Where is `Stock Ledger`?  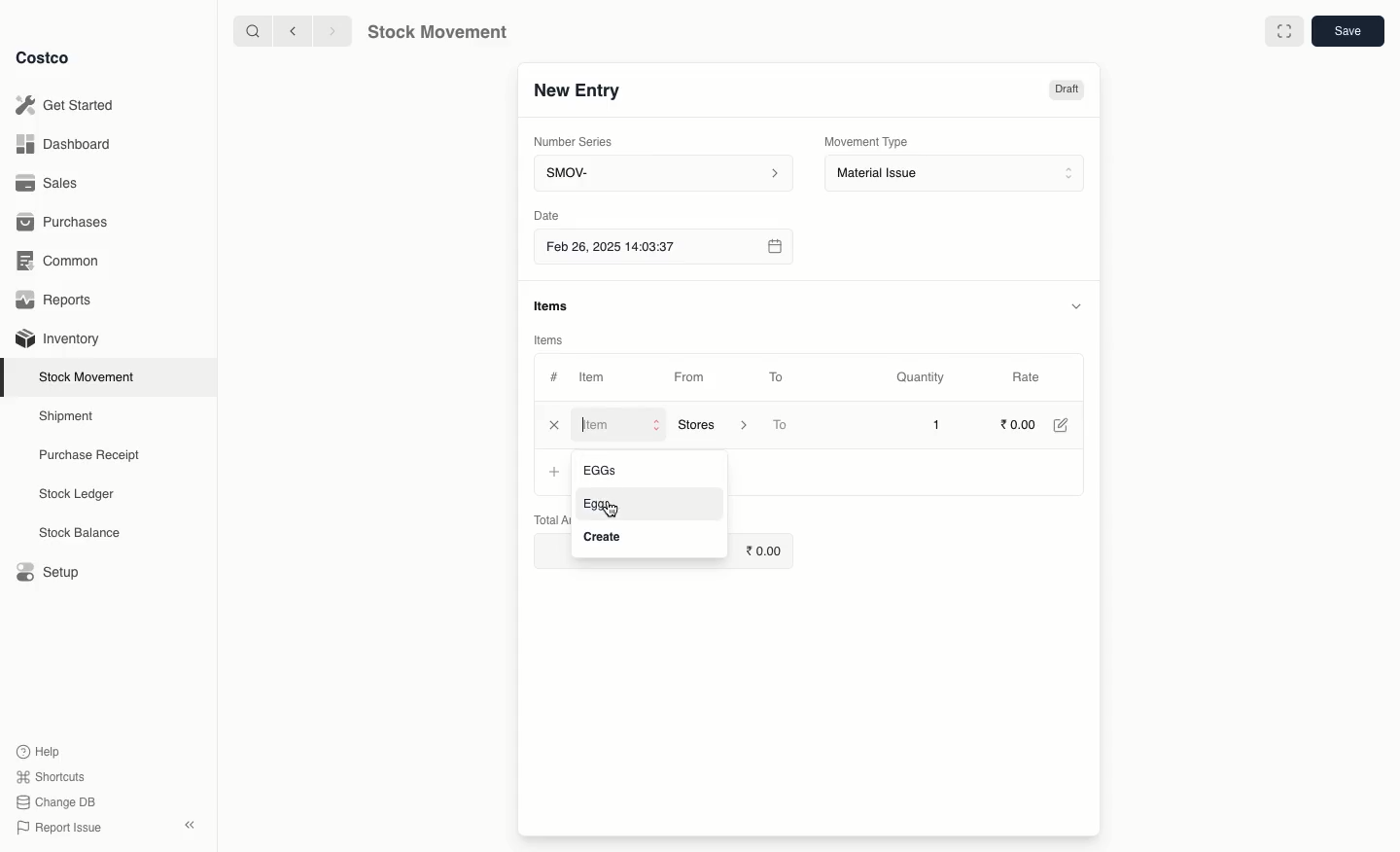 Stock Ledger is located at coordinates (77, 496).